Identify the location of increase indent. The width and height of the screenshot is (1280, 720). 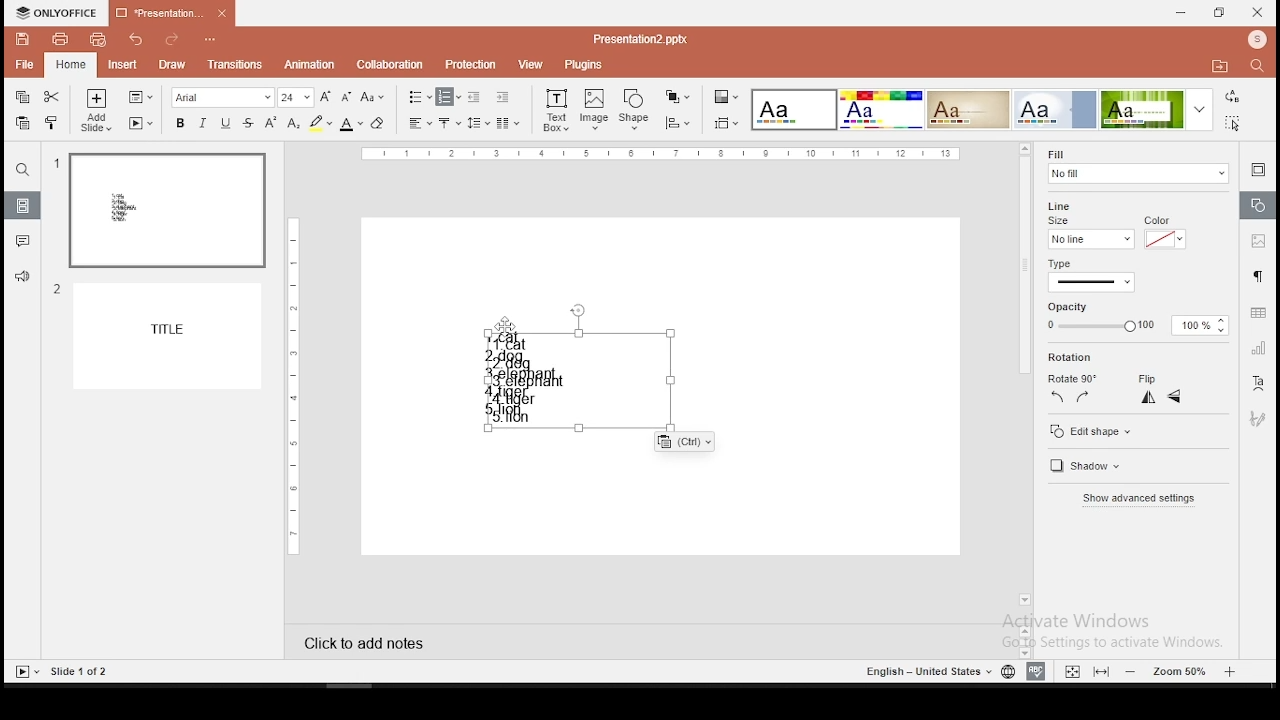
(503, 96).